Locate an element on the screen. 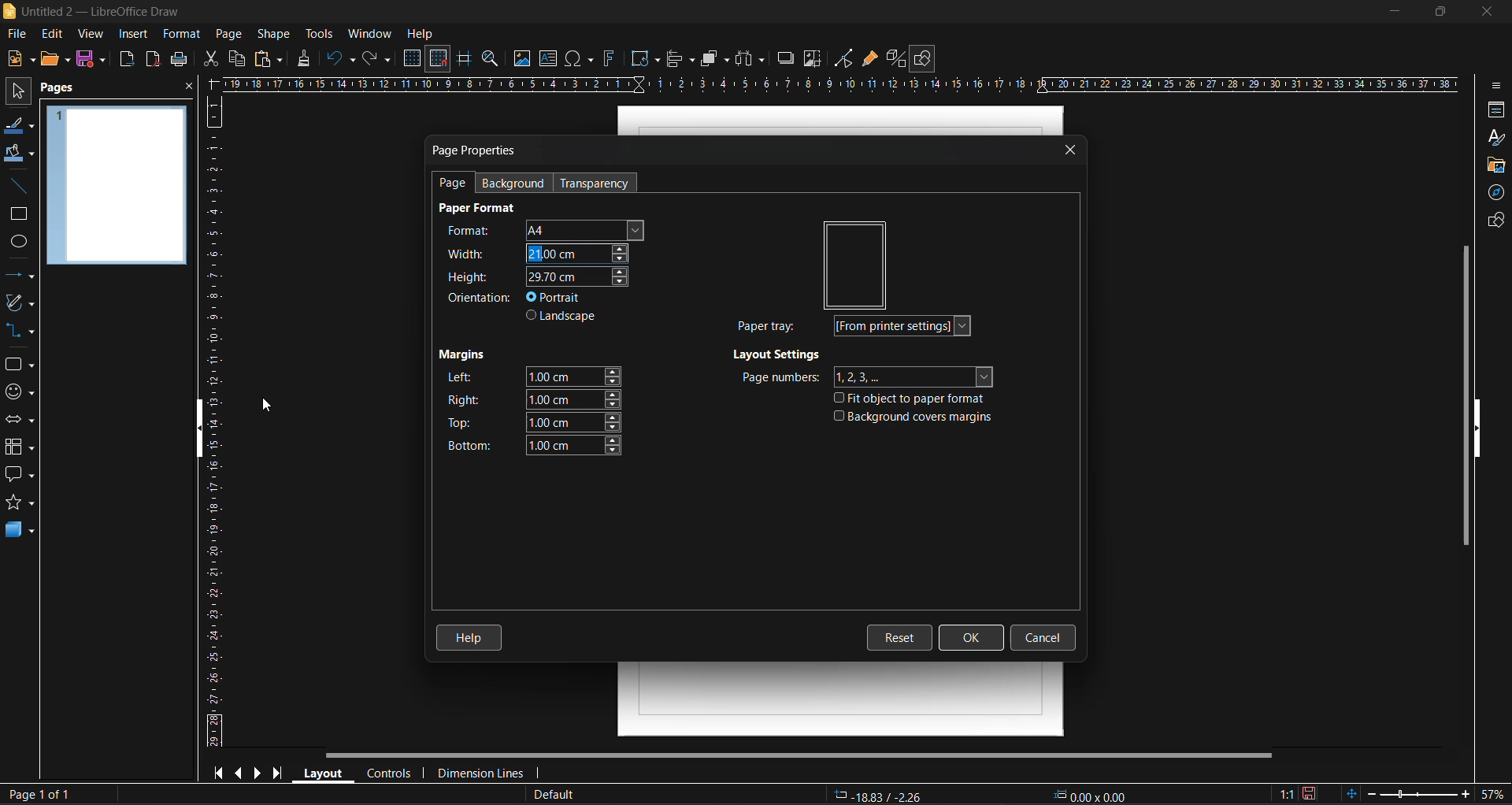 The width and height of the screenshot is (1512, 805). vertical scroll bar is located at coordinates (1460, 395).